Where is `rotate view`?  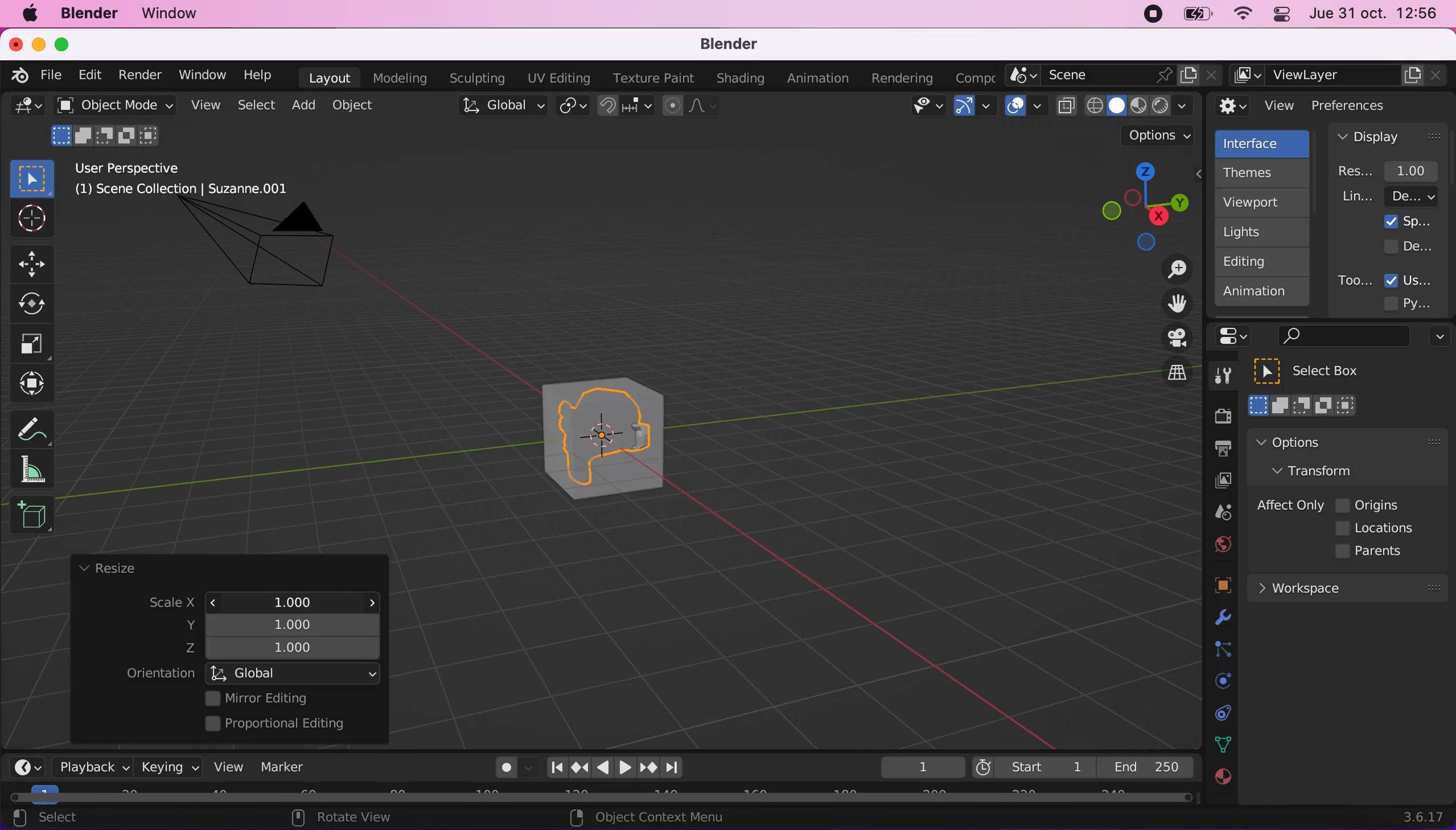
rotate view is located at coordinates (353, 819).